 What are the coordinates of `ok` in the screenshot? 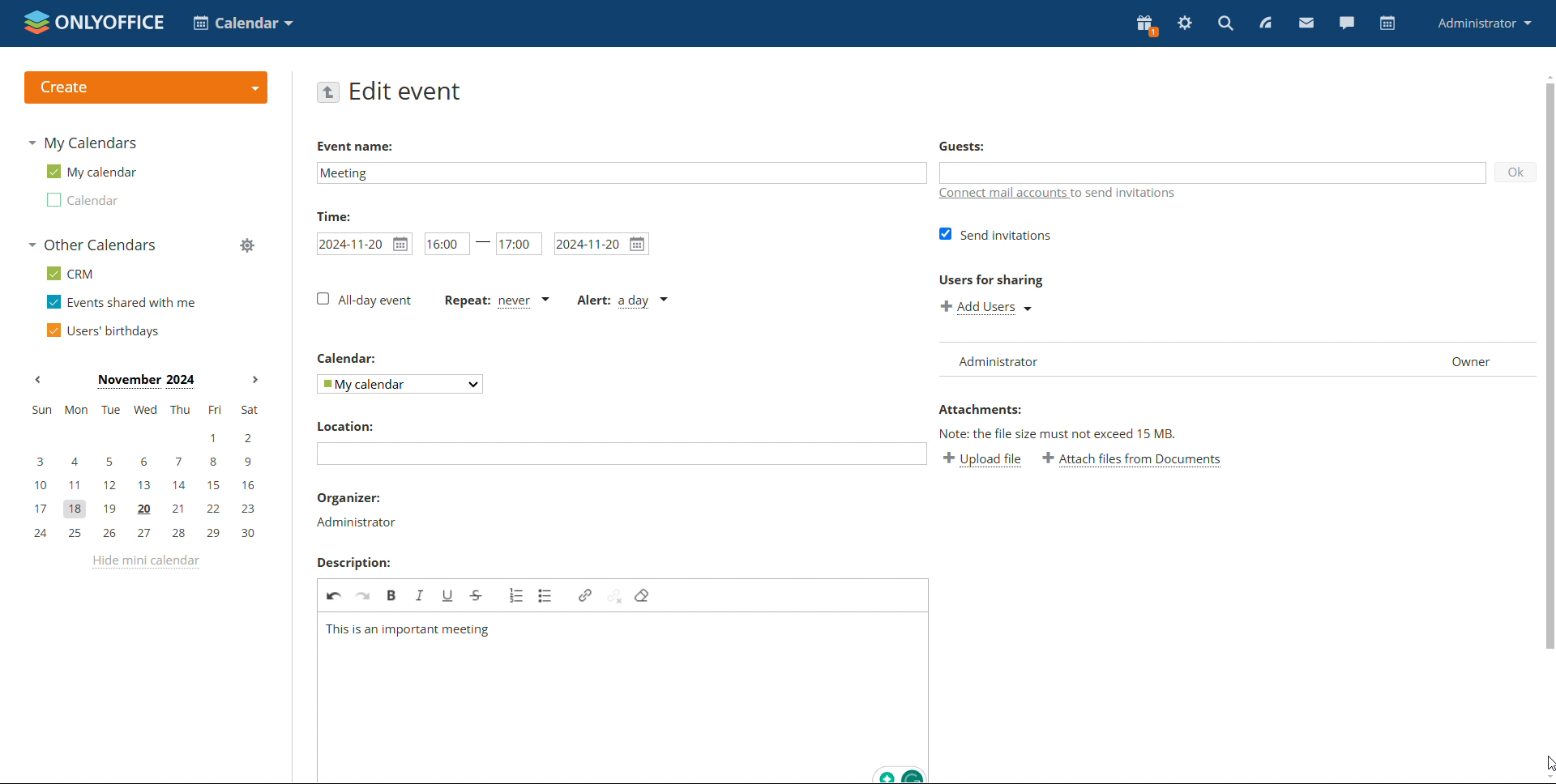 It's located at (1515, 173).